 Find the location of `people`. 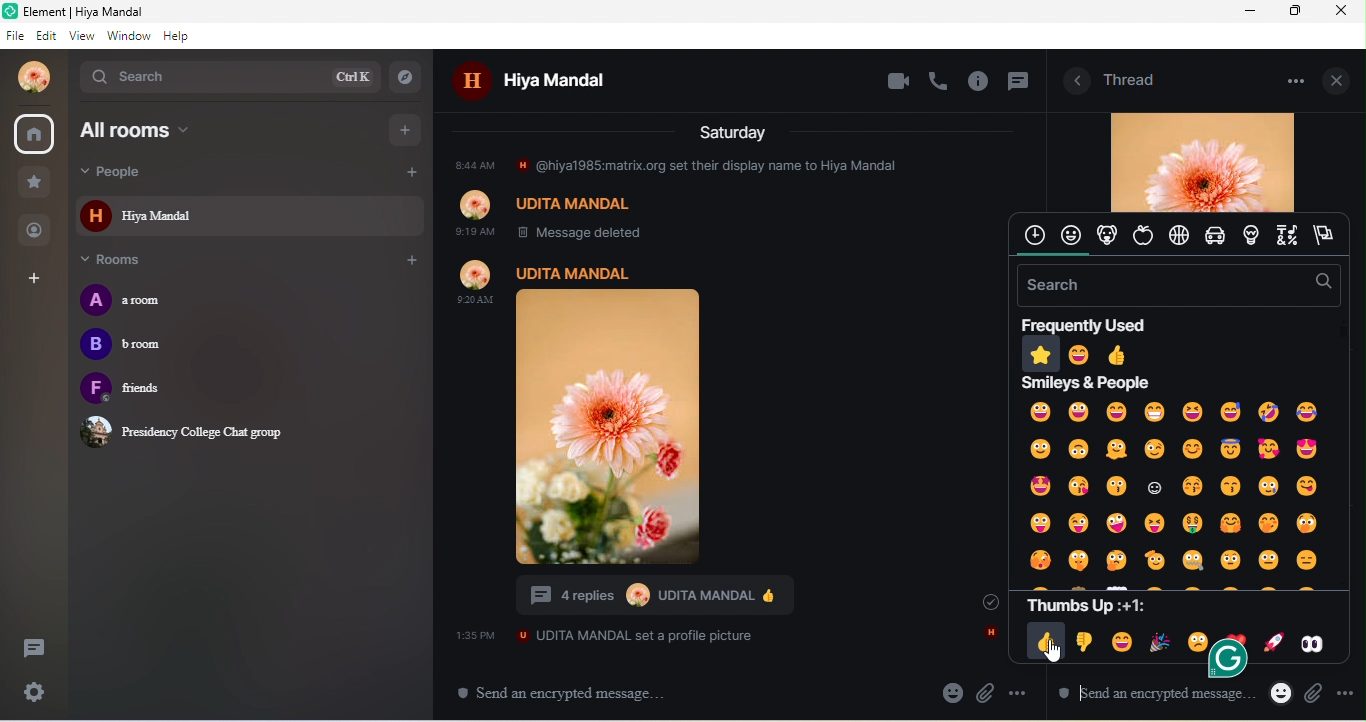

people is located at coordinates (145, 172).